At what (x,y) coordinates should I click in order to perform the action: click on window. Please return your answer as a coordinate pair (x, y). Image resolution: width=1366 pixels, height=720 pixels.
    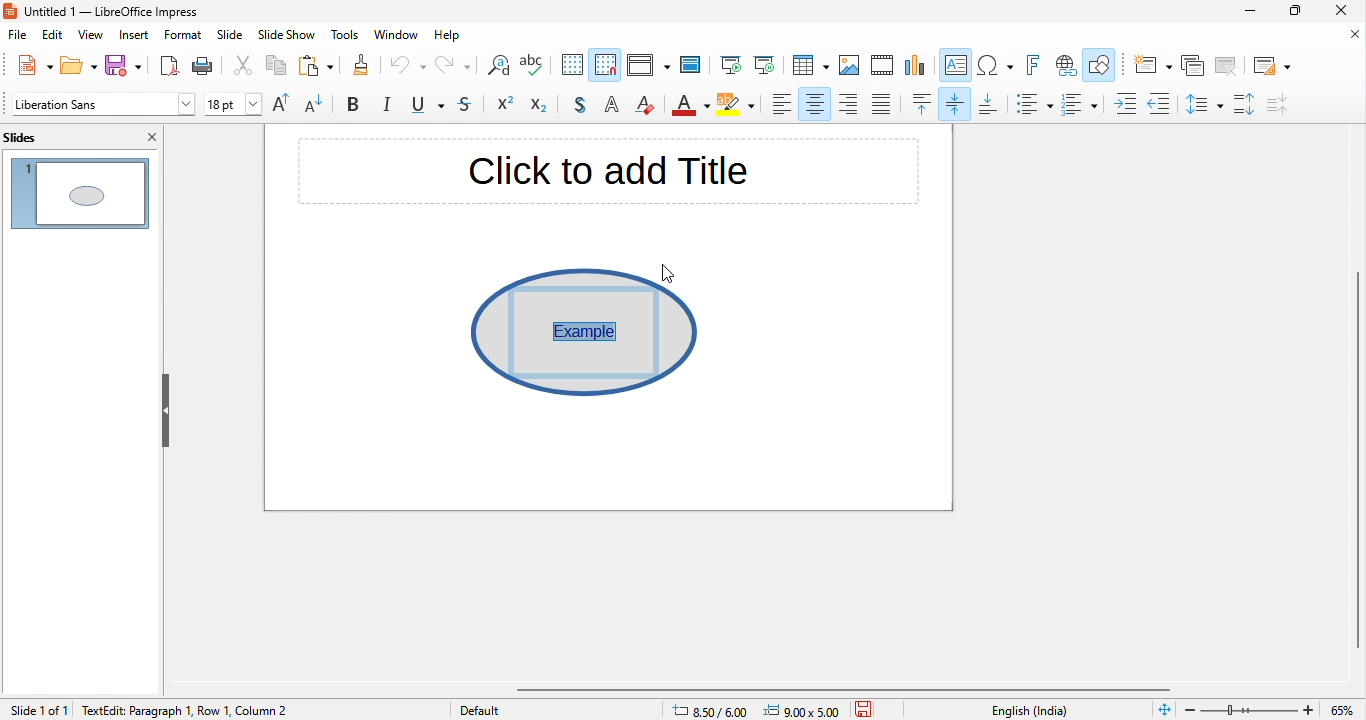
    Looking at the image, I should click on (399, 35).